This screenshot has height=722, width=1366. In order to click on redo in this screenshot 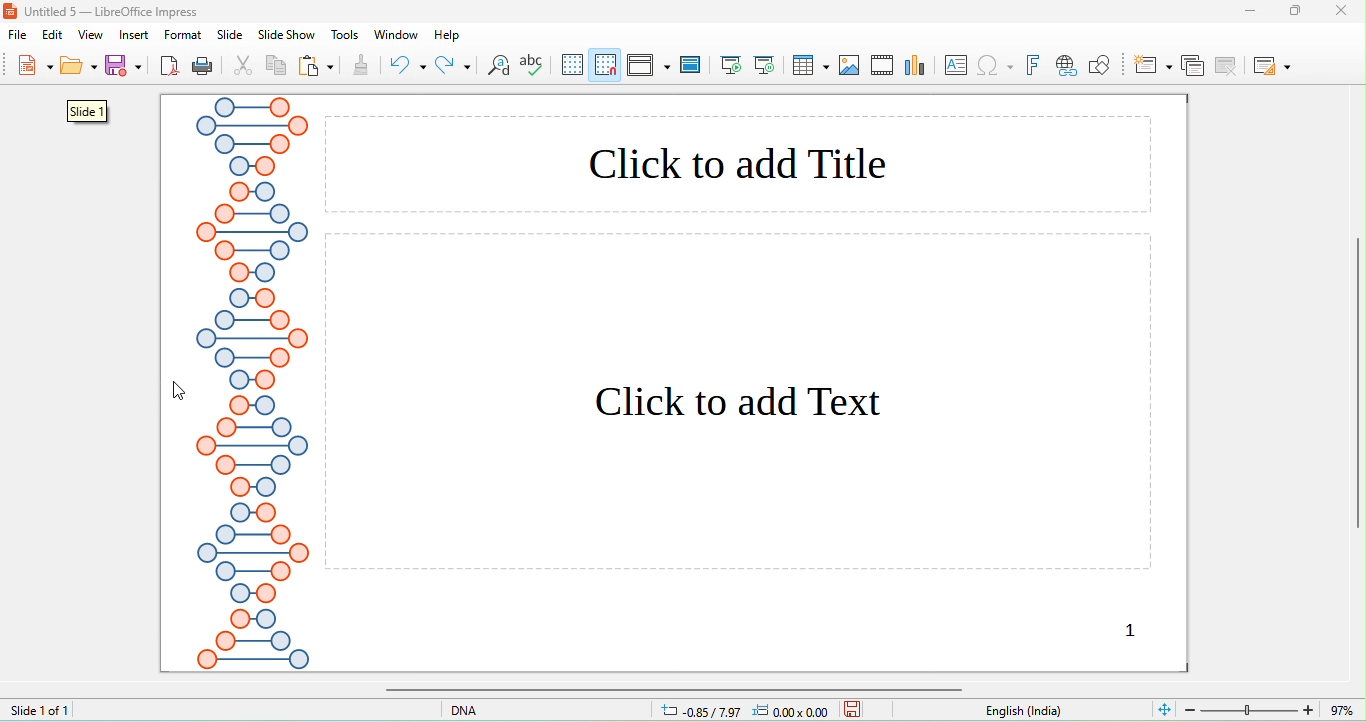, I will do `click(453, 65)`.